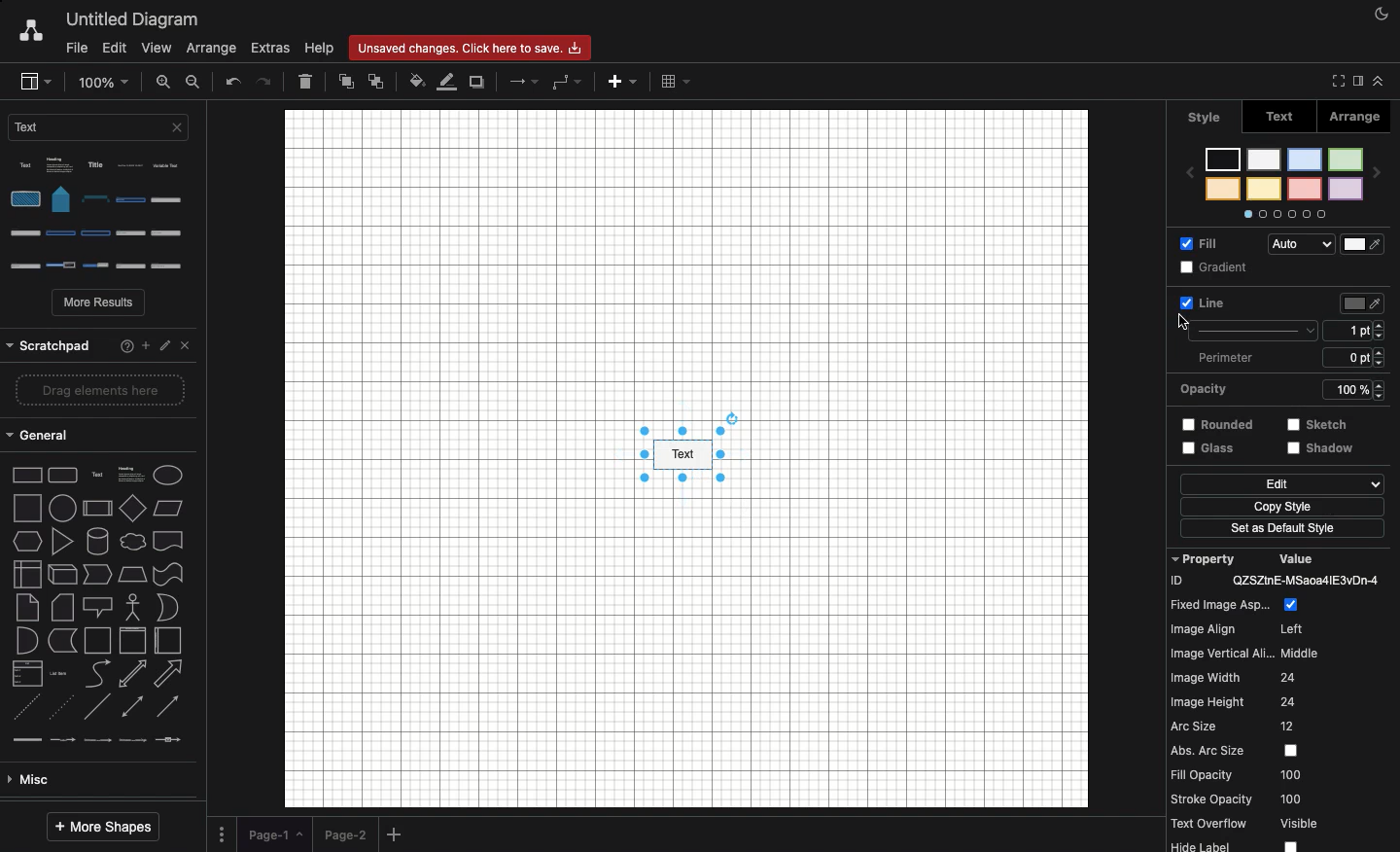  What do you see at coordinates (1329, 424) in the screenshot?
I see `` at bounding box center [1329, 424].